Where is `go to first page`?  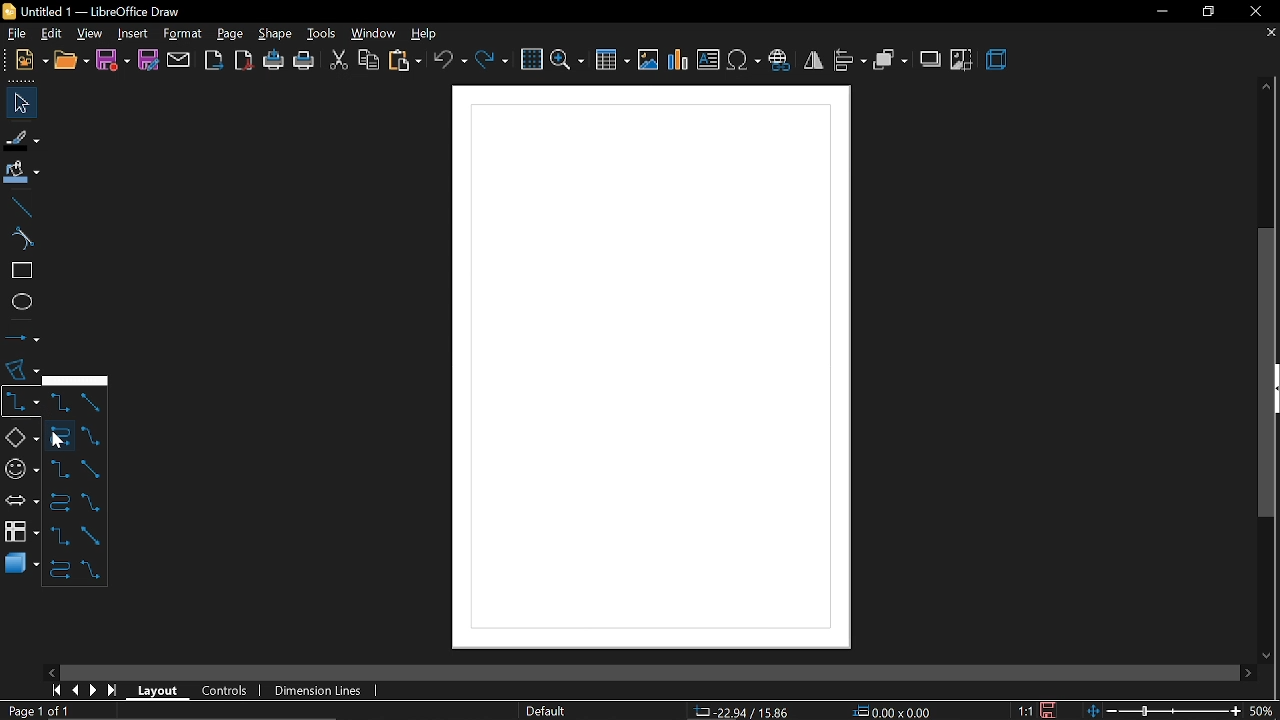 go to first page is located at coordinates (54, 691).